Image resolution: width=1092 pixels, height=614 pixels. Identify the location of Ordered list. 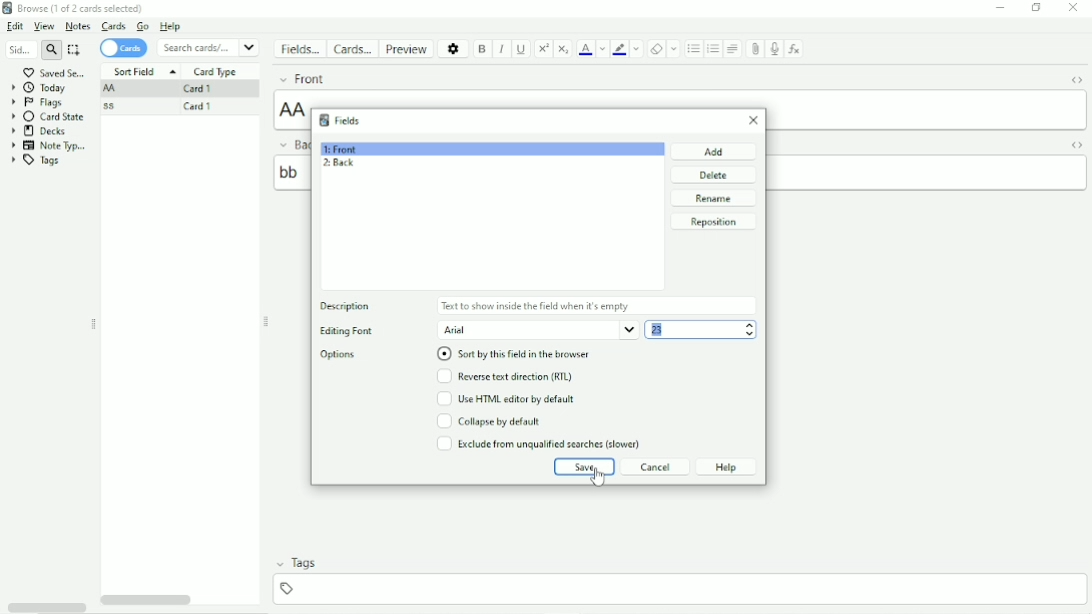
(713, 49).